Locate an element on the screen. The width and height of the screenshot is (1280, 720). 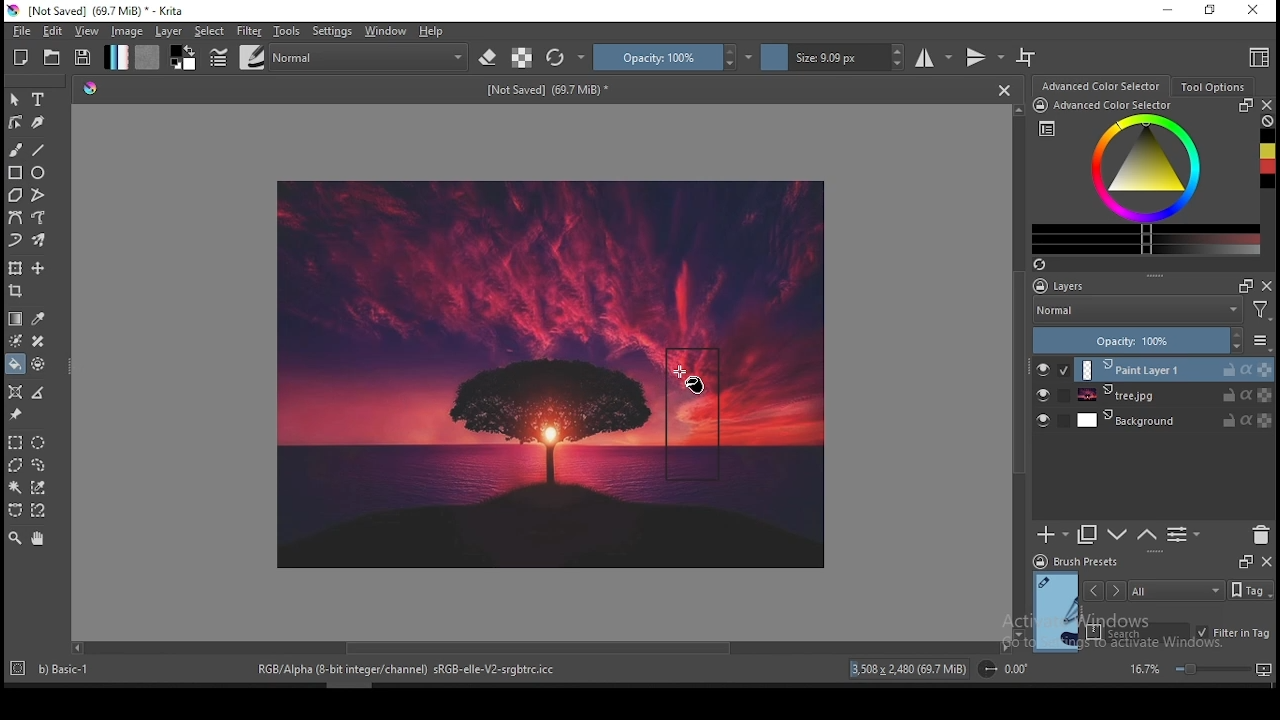
transform a layer or a selection is located at coordinates (16, 269).